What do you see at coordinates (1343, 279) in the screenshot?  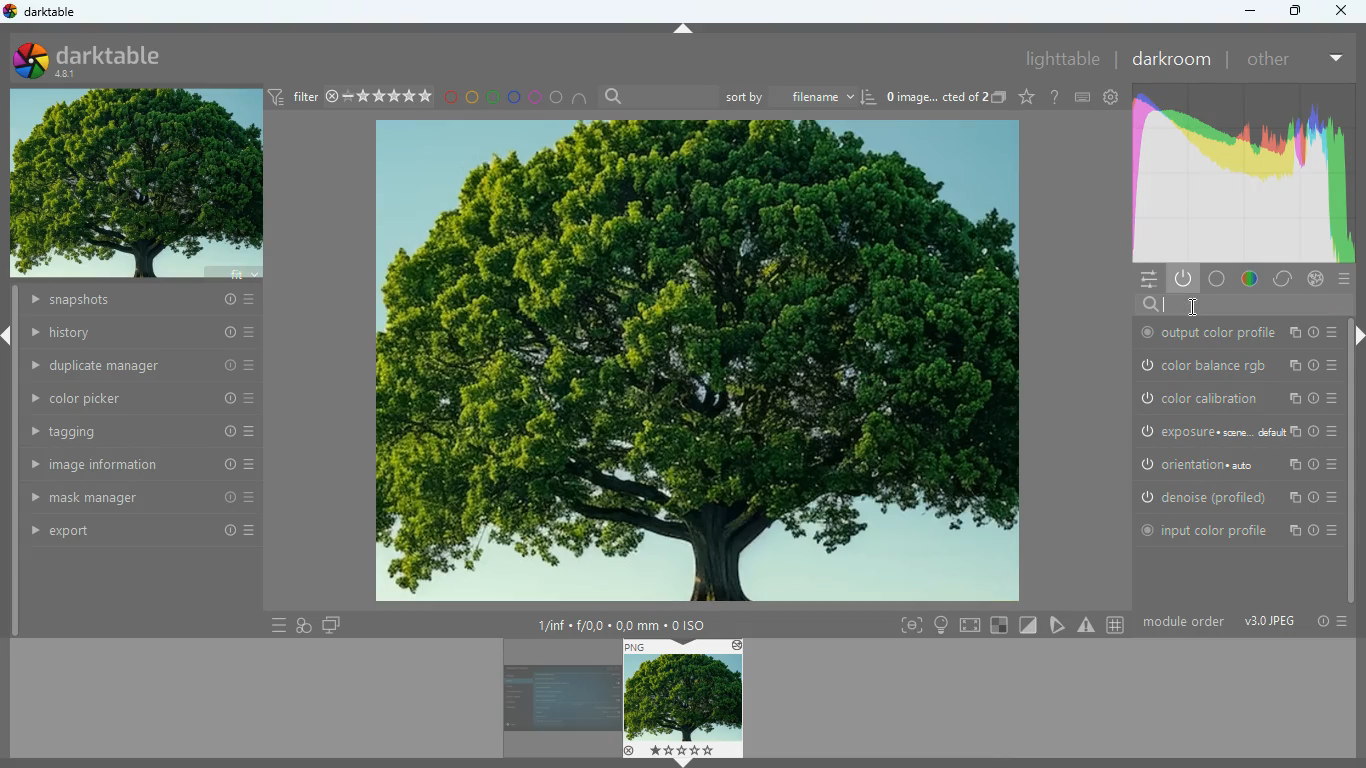 I see `menu` at bounding box center [1343, 279].